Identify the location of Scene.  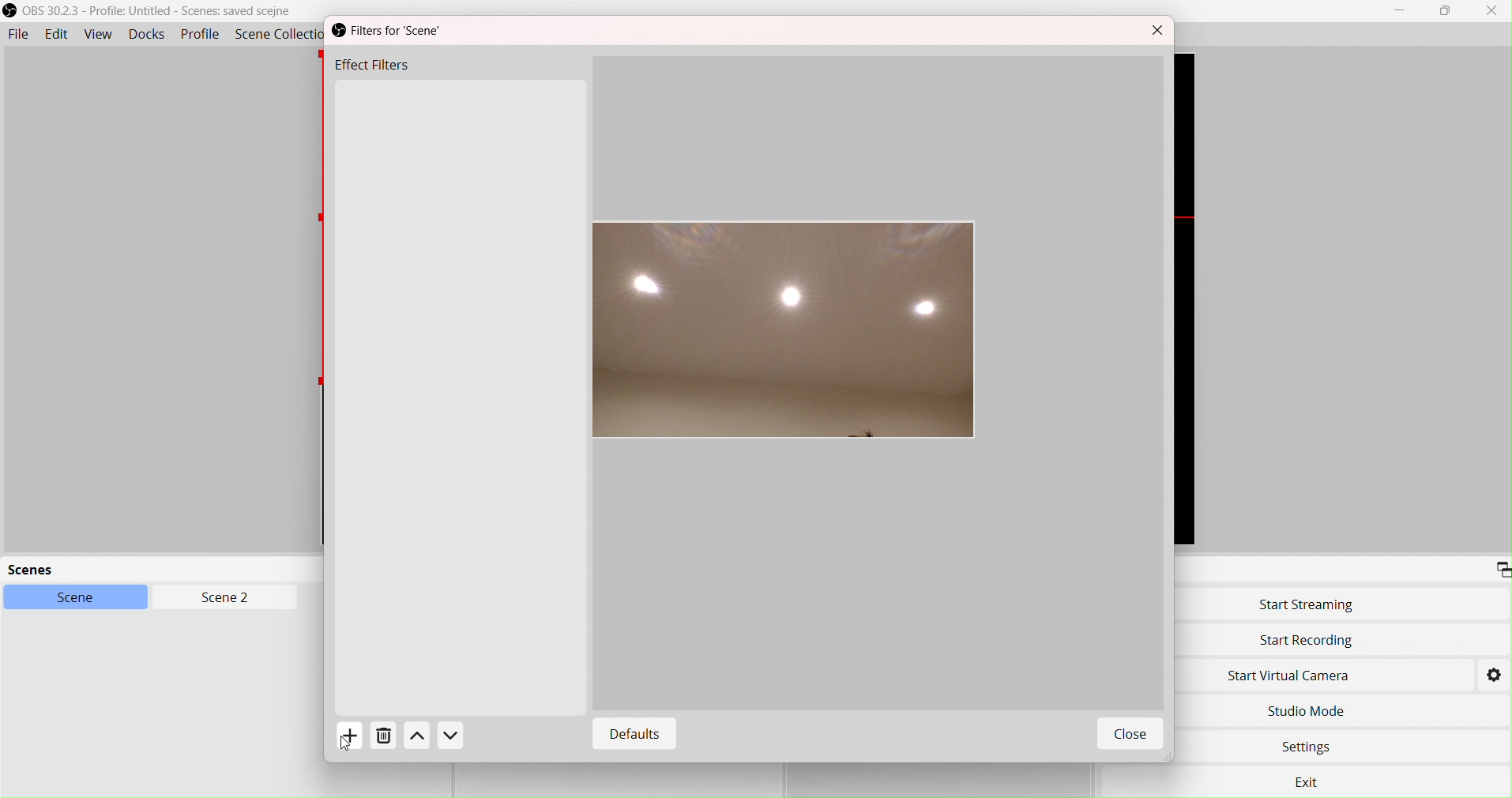
(85, 598).